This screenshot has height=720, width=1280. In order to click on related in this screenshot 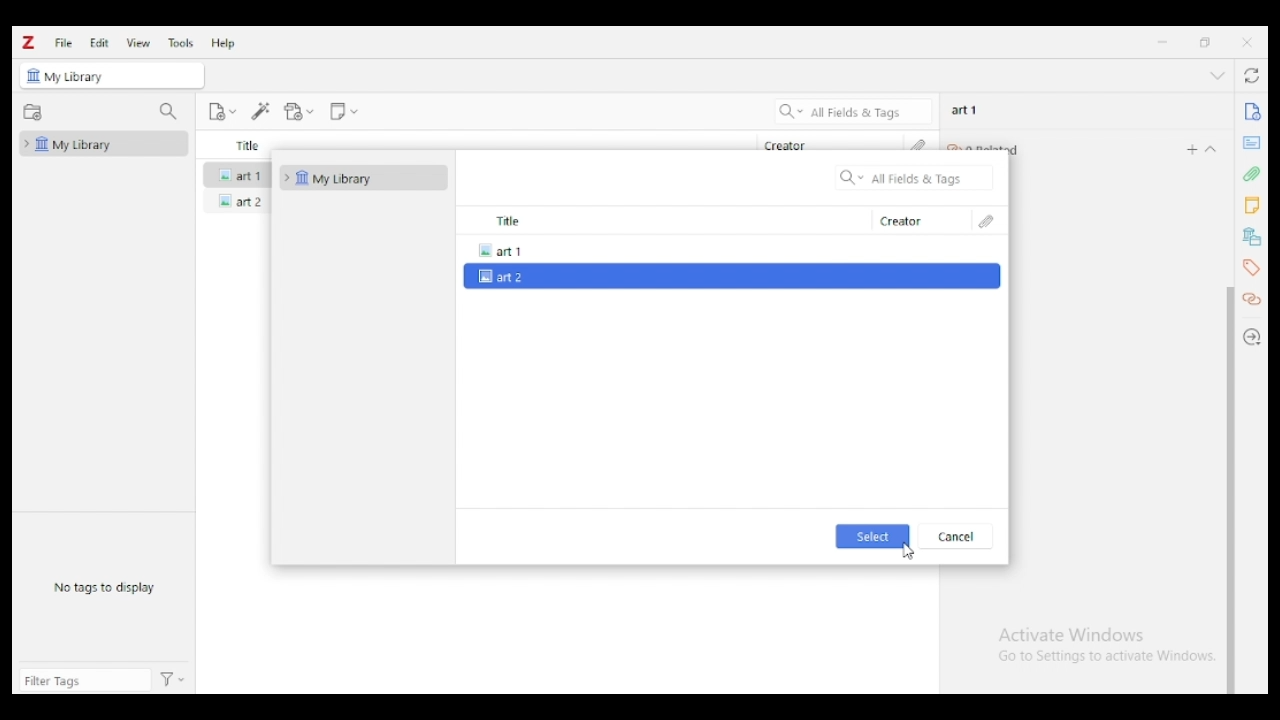, I will do `click(1254, 300)`.